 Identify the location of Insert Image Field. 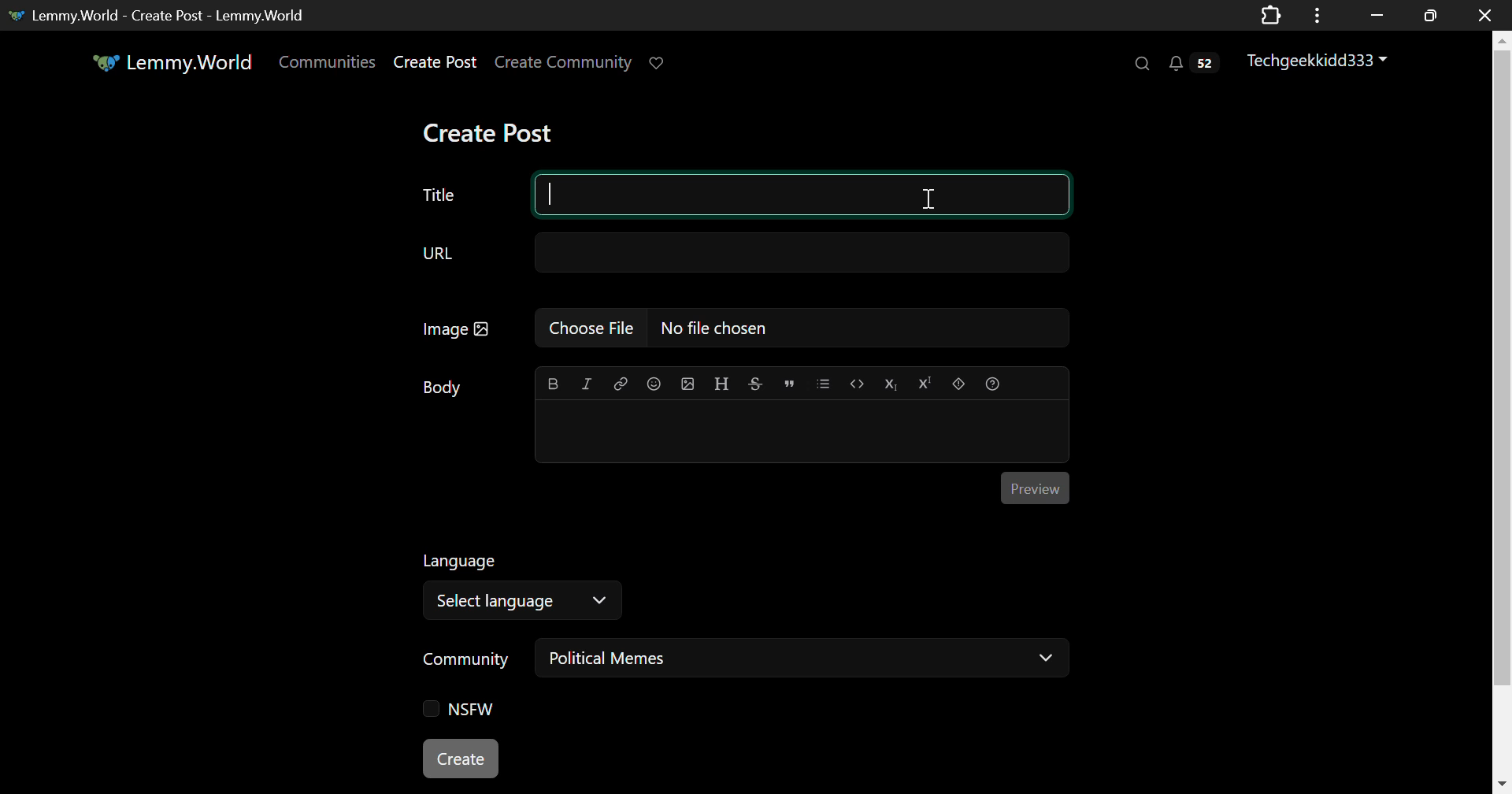
(737, 328).